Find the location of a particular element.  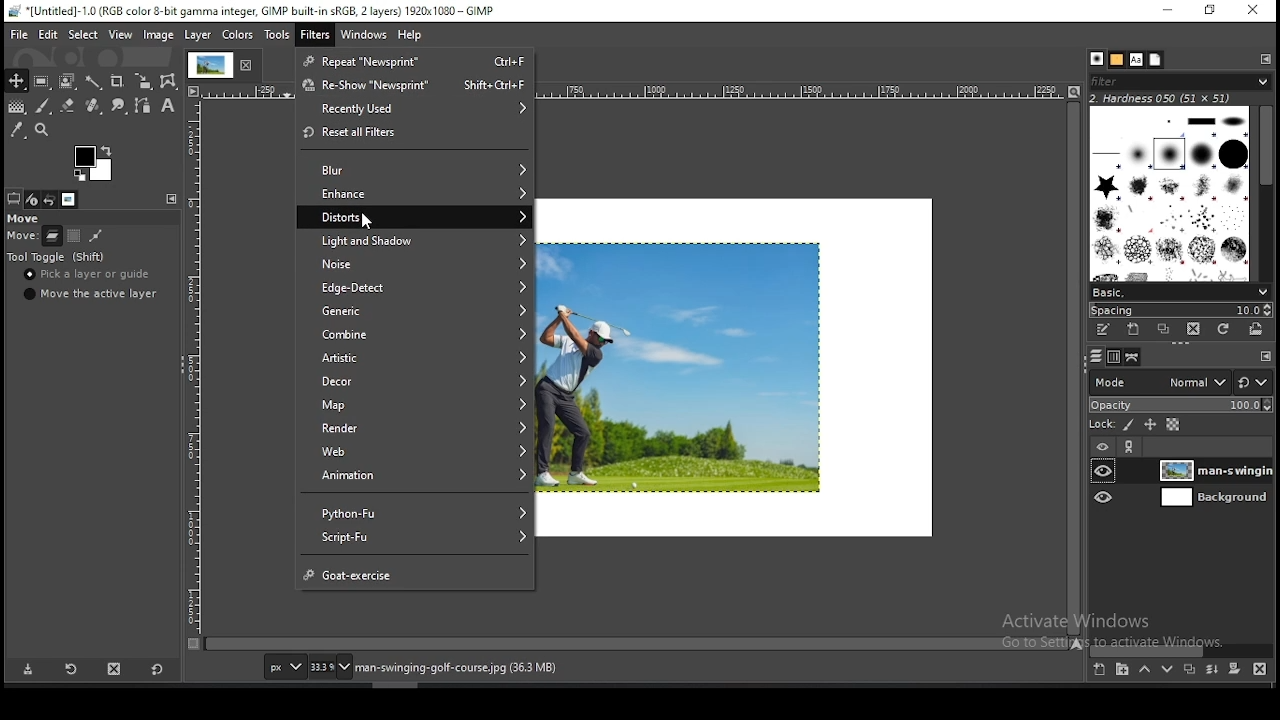

cage transform tool is located at coordinates (170, 82).